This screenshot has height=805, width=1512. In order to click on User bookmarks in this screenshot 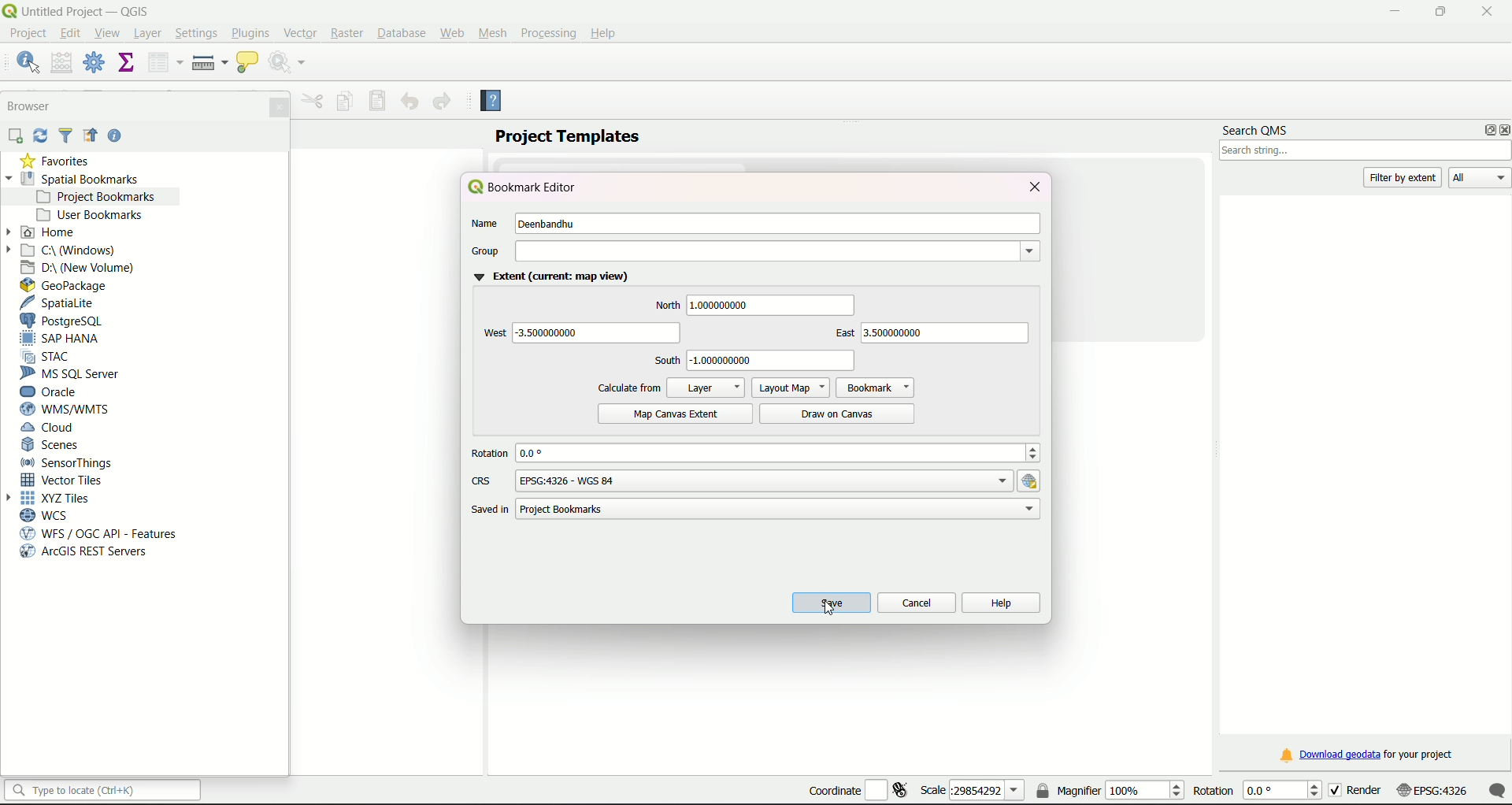, I will do `click(98, 213)`.